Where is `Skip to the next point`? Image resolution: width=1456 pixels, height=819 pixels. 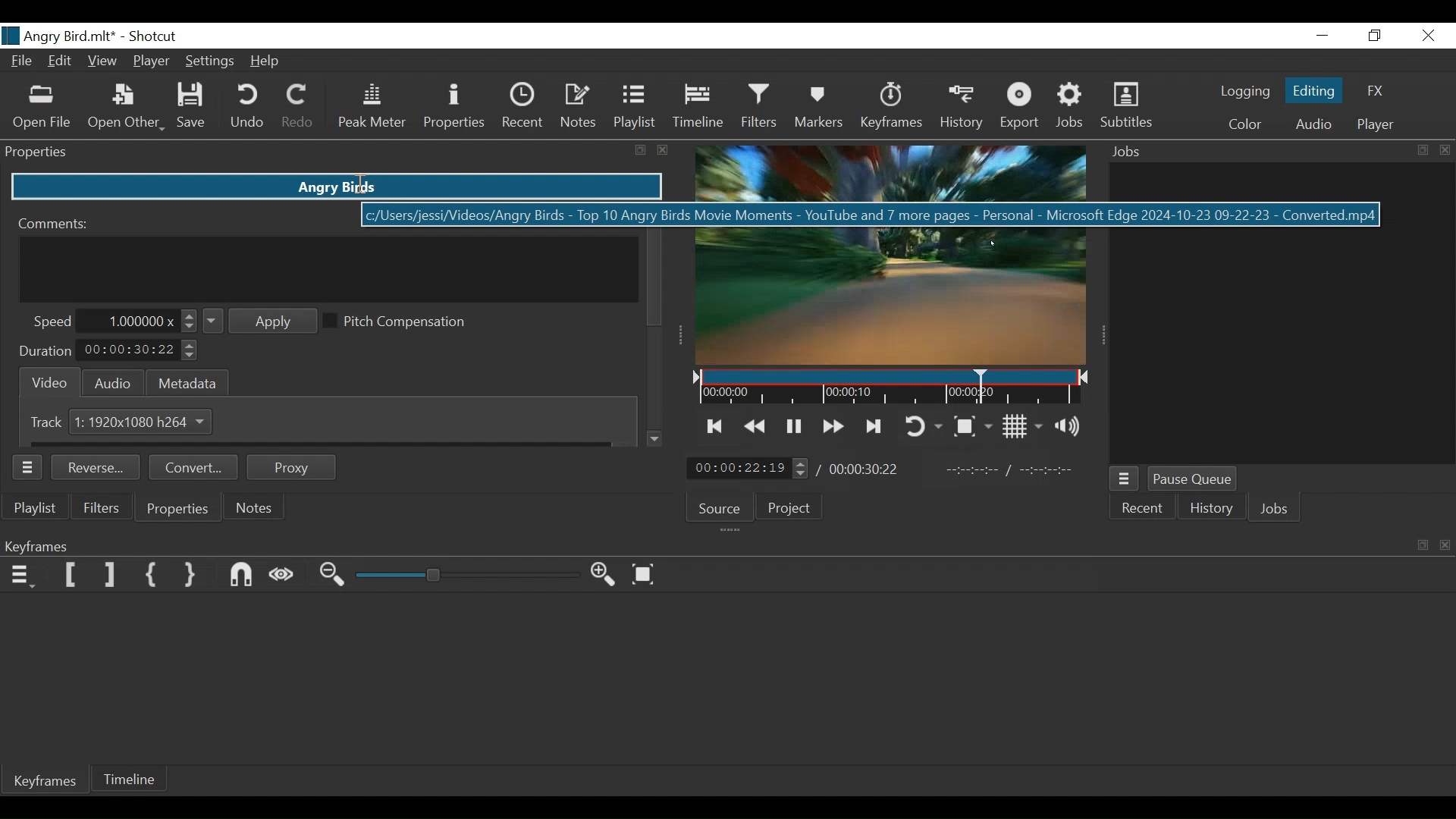 Skip to the next point is located at coordinates (876, 426).